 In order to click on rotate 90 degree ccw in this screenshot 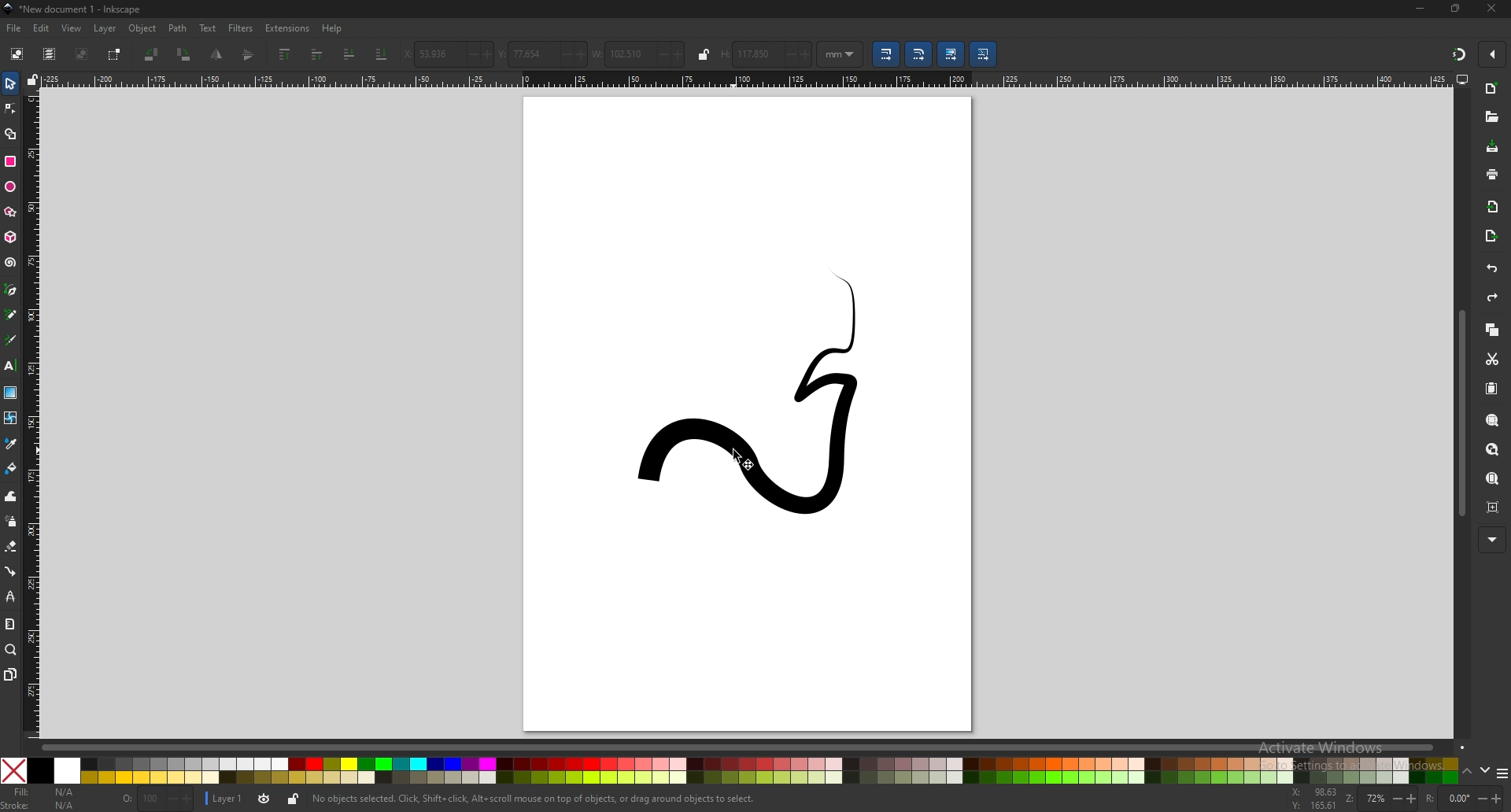, I will do `click(150, 55)`.